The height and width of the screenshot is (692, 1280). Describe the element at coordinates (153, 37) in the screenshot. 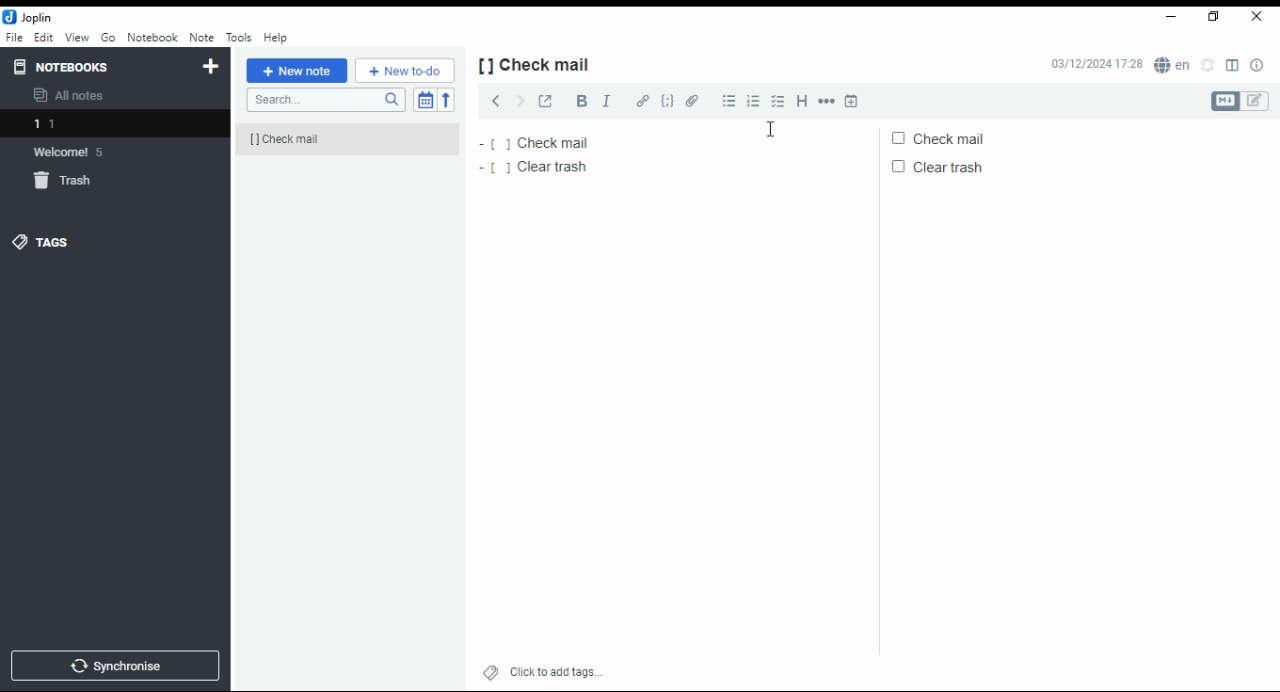

I see `notebook` at that location.